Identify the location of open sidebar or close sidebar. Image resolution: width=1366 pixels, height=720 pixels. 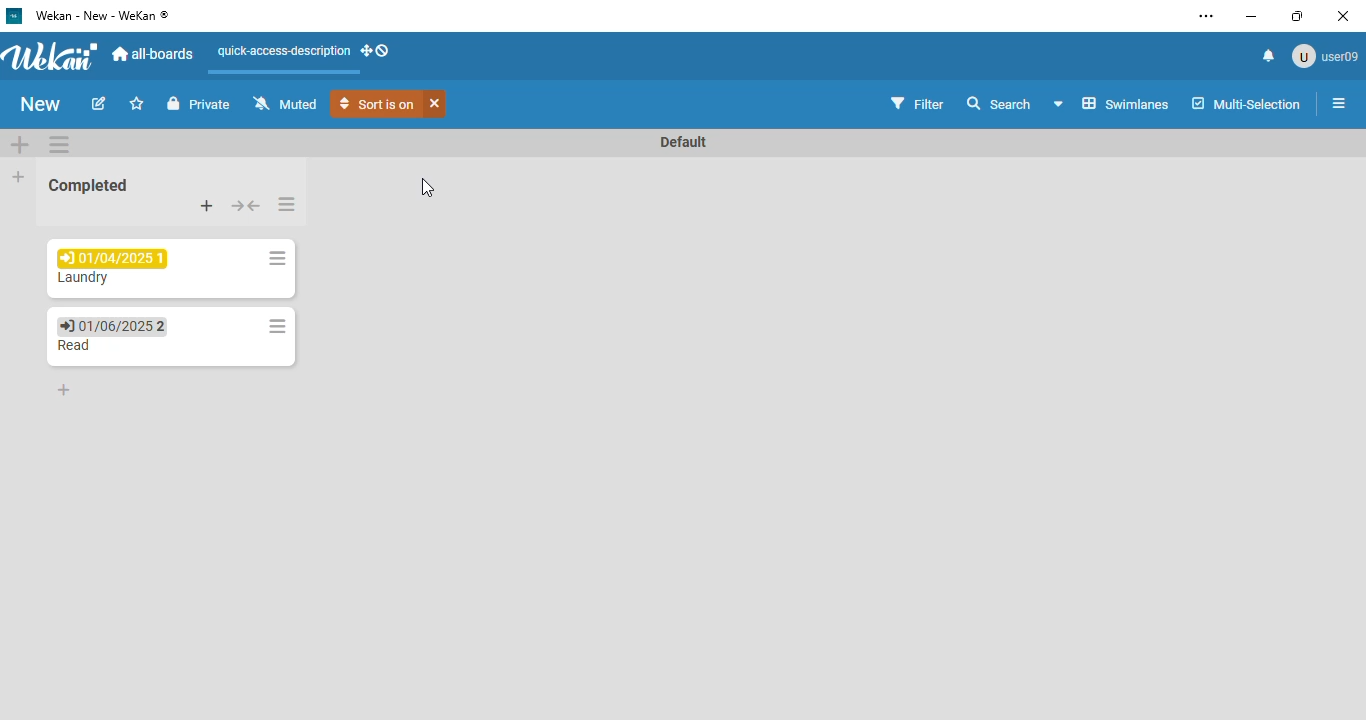
(1339, 103).